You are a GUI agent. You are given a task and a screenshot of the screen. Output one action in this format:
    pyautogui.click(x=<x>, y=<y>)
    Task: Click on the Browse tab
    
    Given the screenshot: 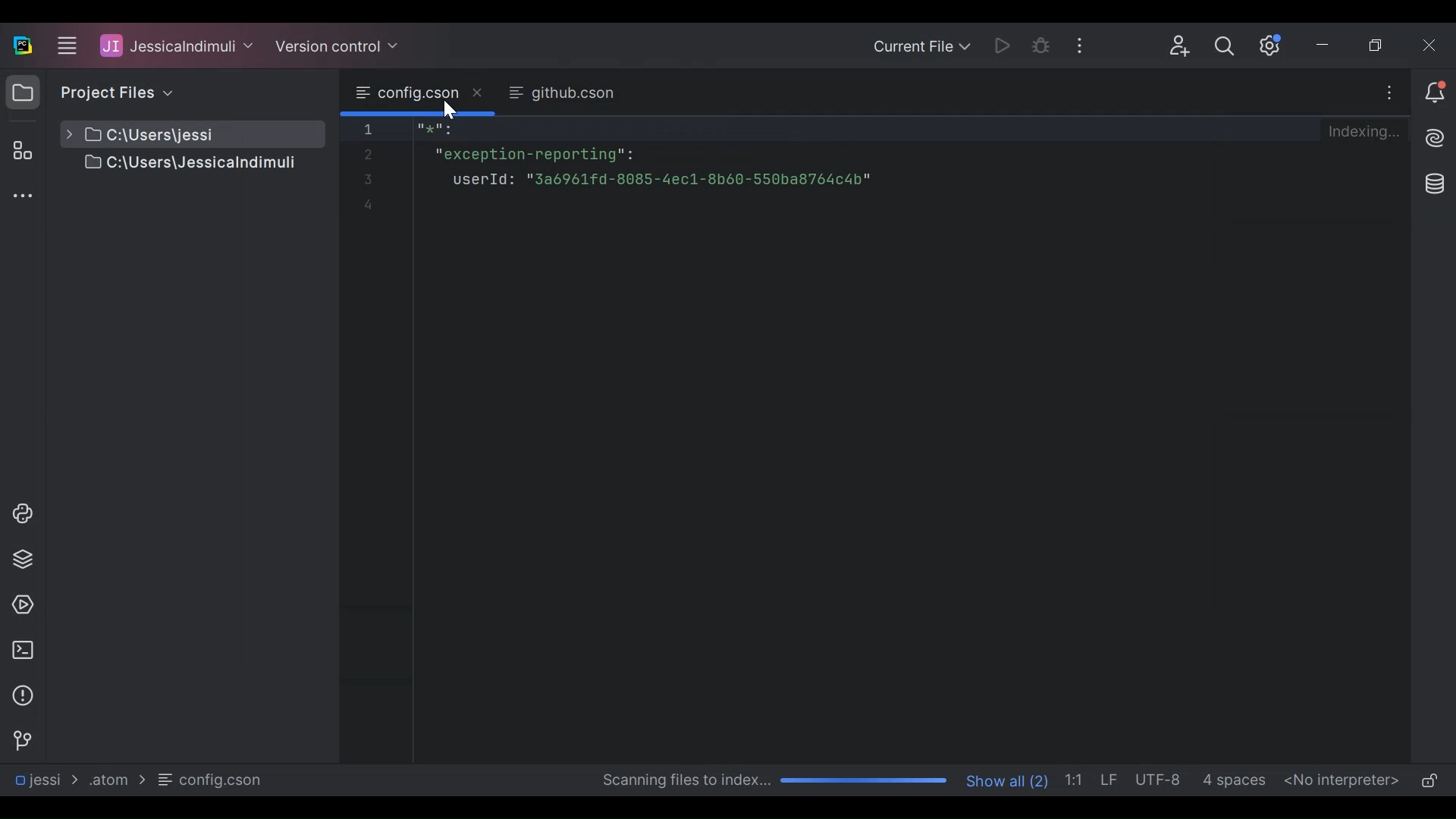 What is the action you would take?
    pyautogui.click(x=560, y=94)
    